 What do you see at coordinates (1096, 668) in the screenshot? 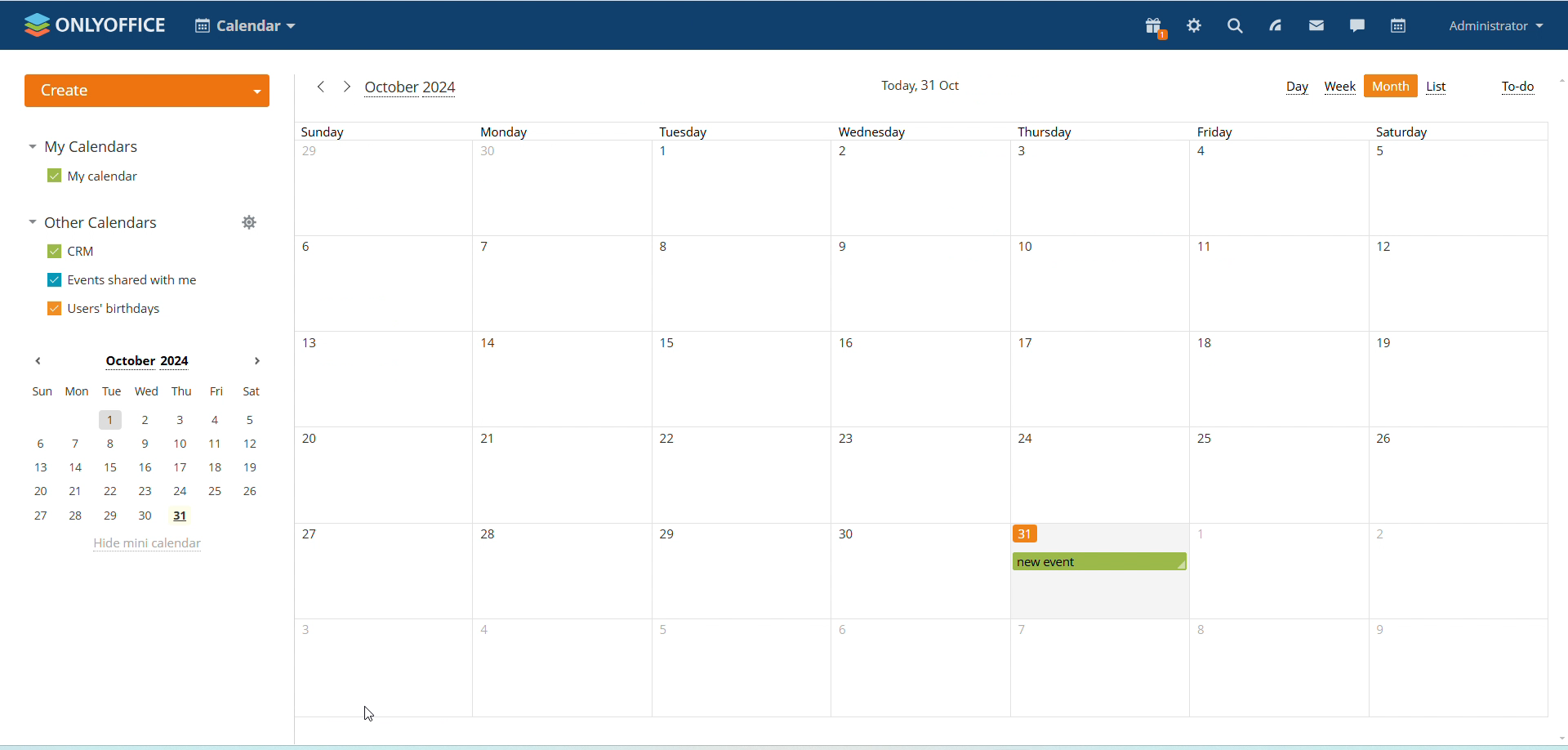
I see `Thursday 7th november` at bounding box center [1096, 668].